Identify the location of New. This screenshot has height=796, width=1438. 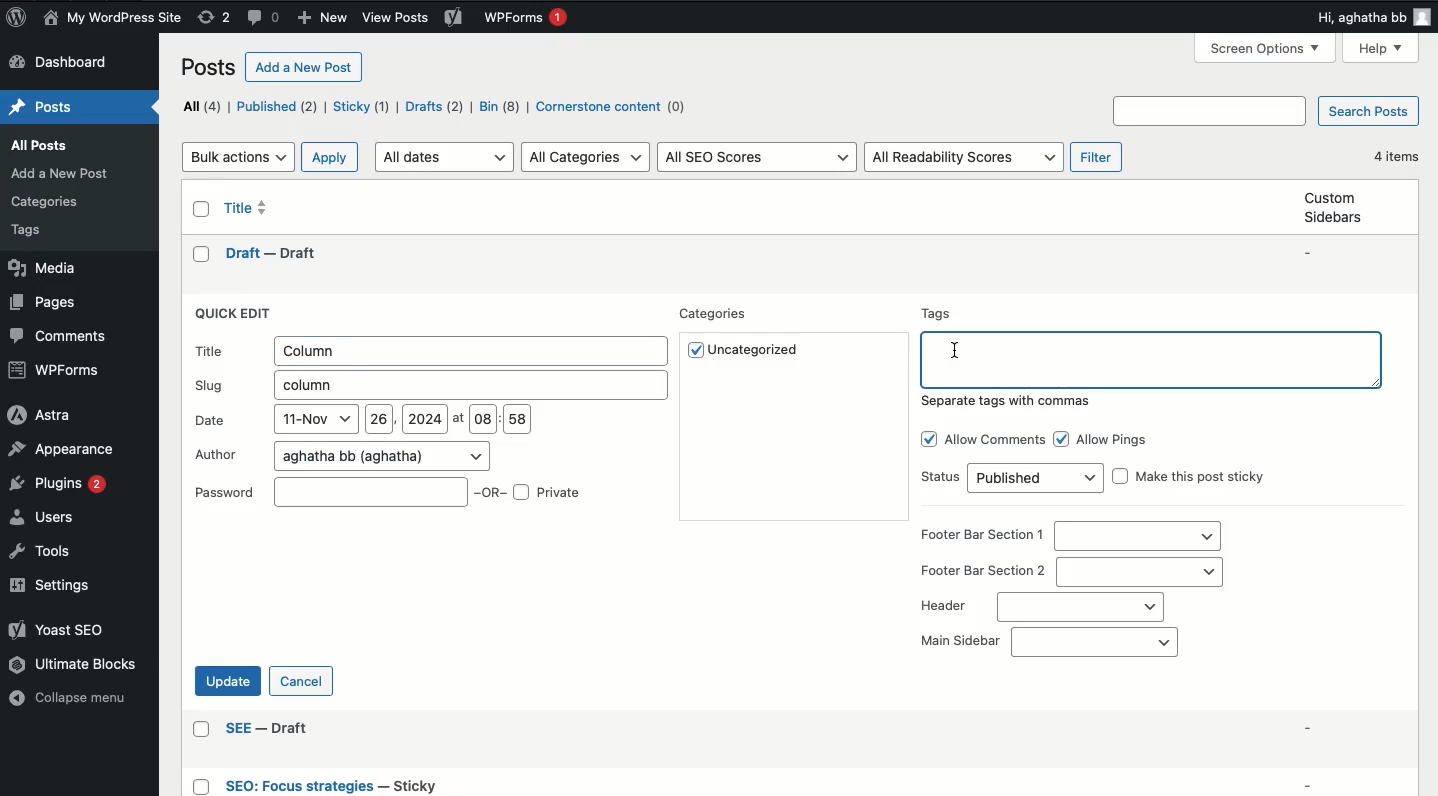
(325, 17).